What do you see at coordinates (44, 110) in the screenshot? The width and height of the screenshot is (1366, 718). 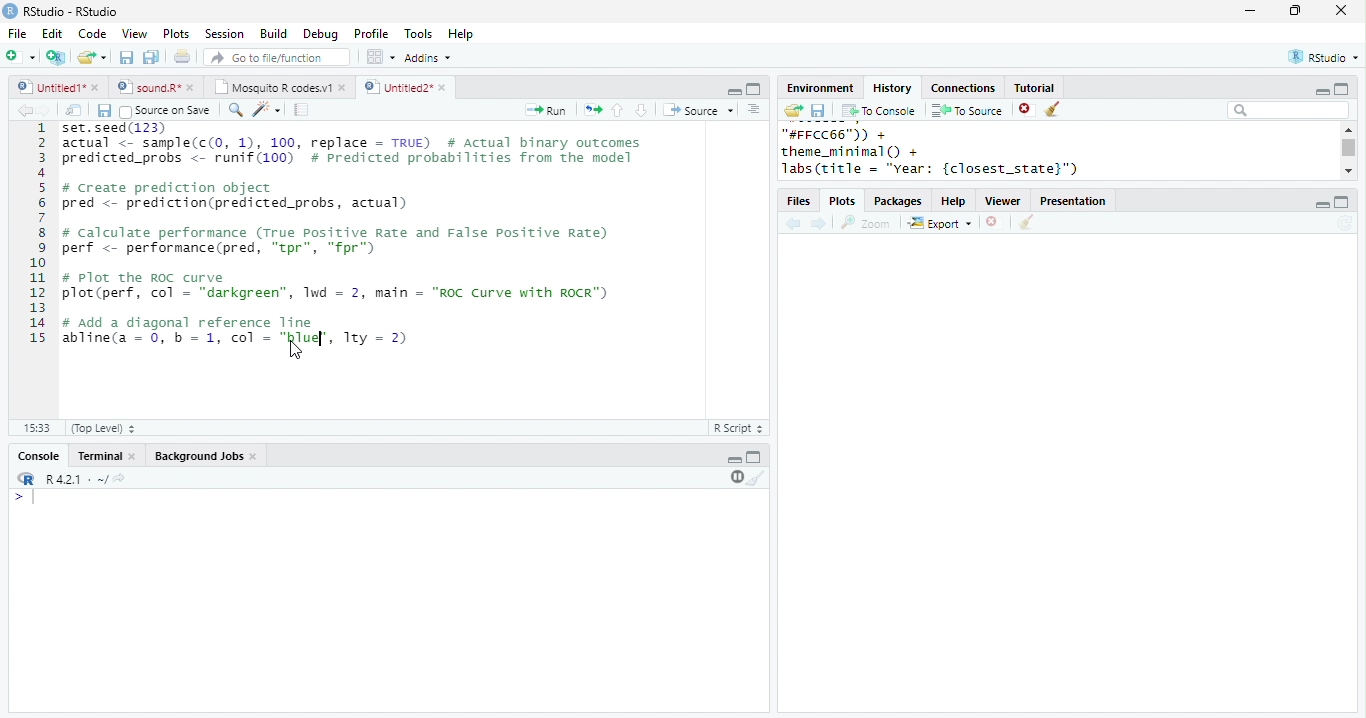 I see `forward` at bounding box center [44, 110].